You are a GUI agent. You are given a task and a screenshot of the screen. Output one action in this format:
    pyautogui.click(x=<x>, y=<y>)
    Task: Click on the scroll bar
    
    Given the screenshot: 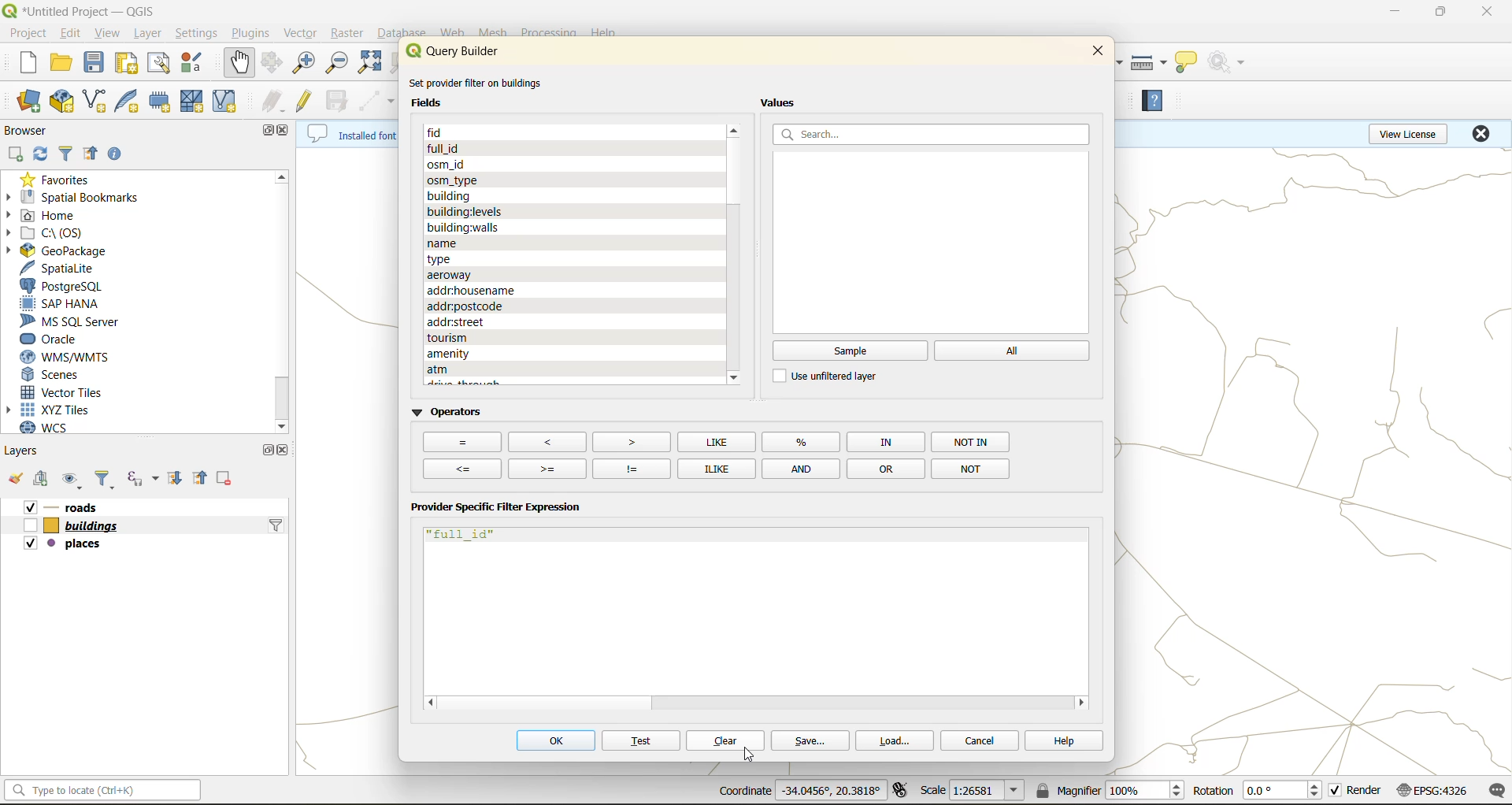 What is the action you would take?
    pyautogui.click(x=283, y=290)
    